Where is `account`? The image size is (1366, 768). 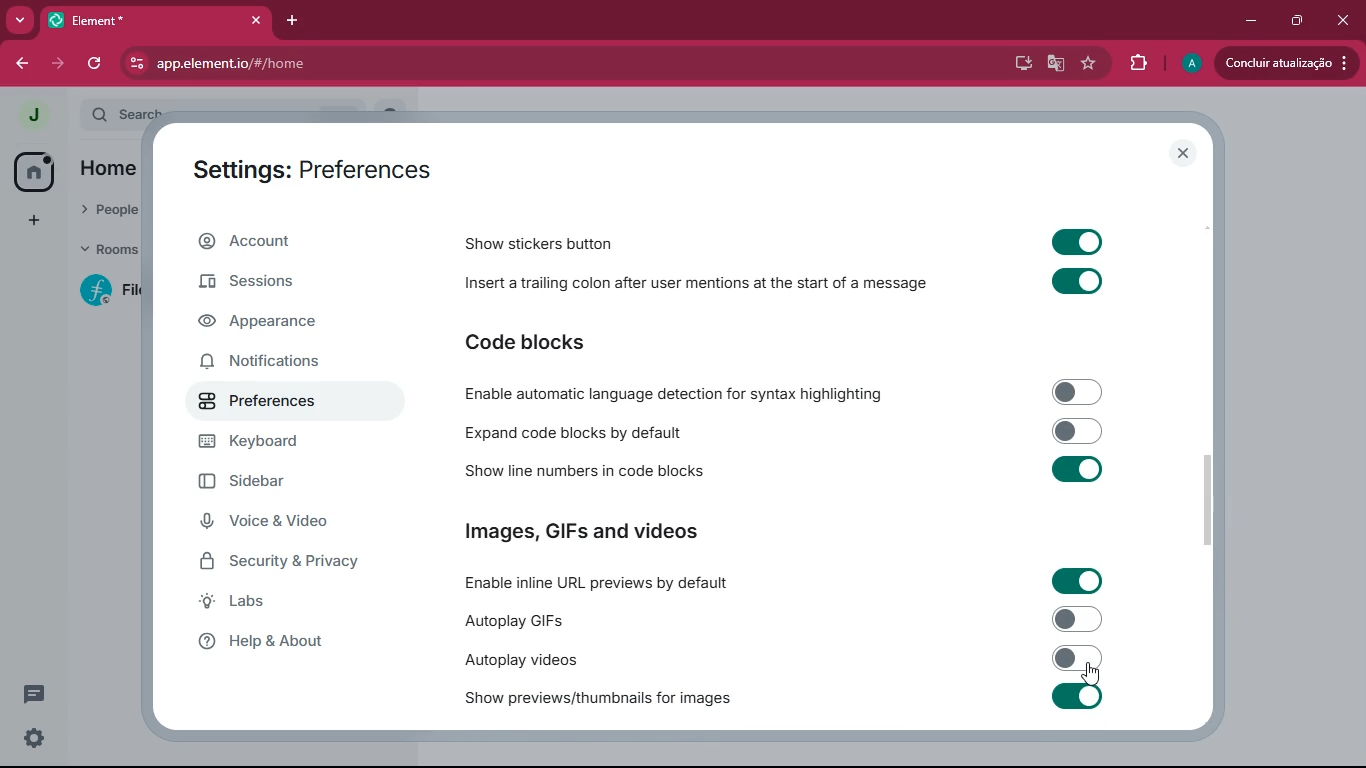 account is located at coordinates (277, 246).